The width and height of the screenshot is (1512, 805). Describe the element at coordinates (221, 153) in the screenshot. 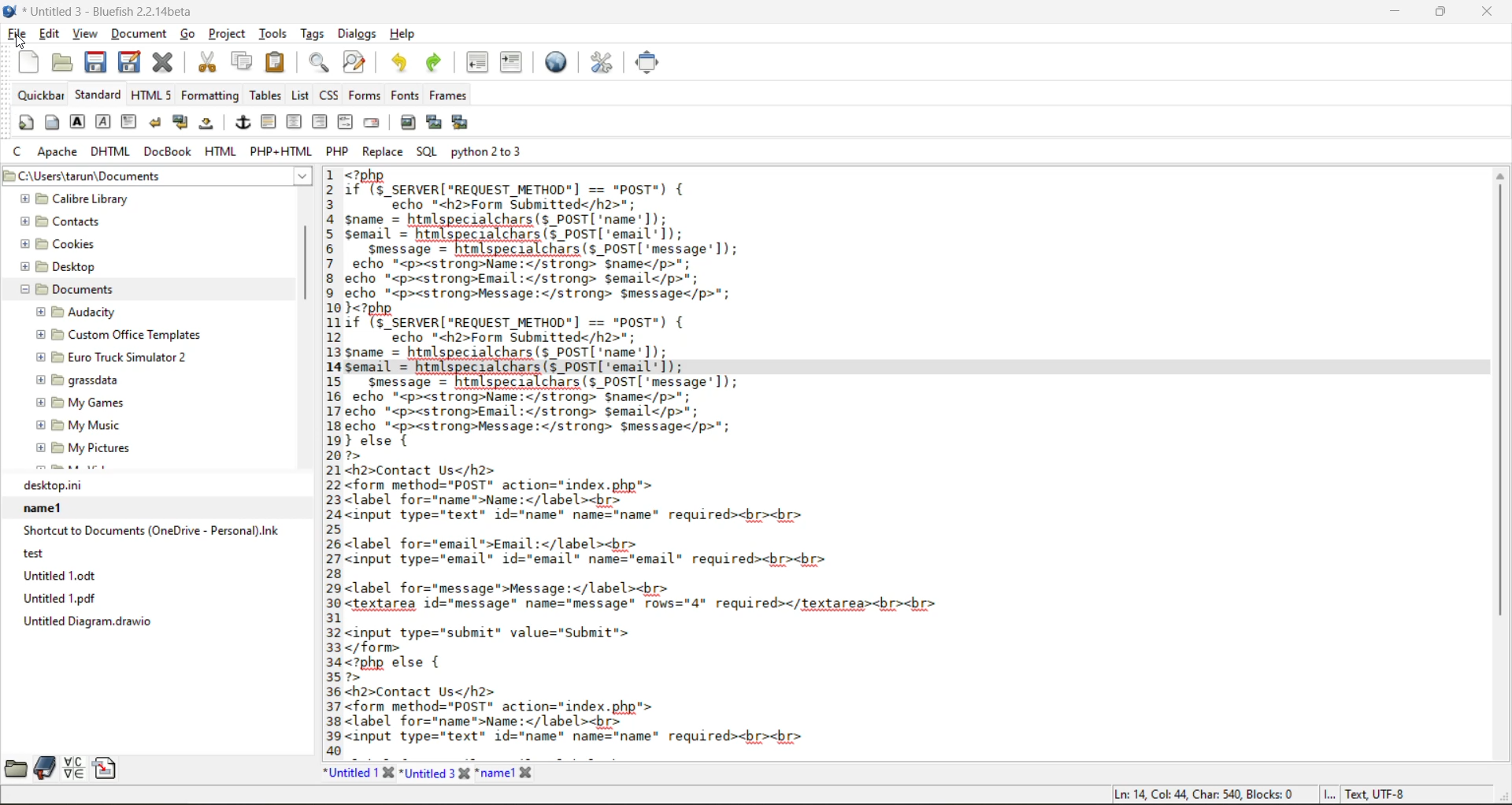

I see `html` at that location.